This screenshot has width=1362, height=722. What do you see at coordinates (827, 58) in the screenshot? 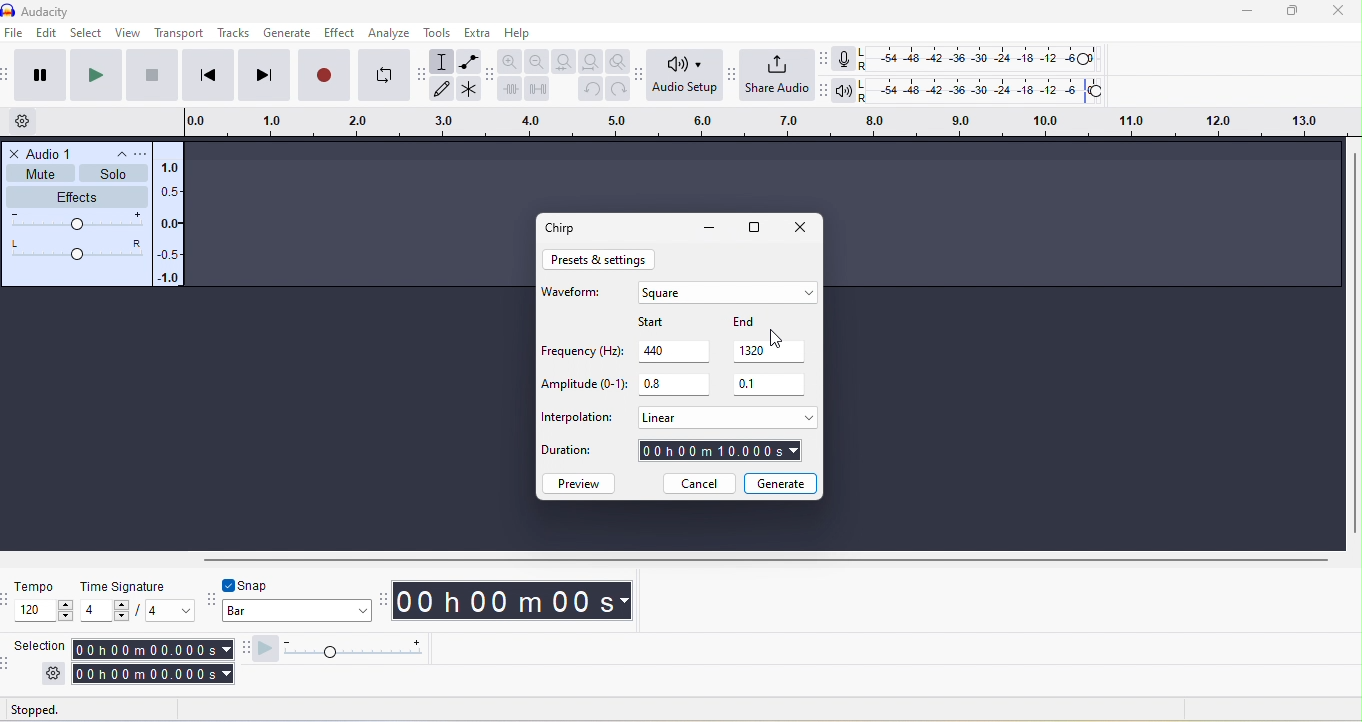
I see `audacity recording meter toolbar` at bounding box center [827, 58].